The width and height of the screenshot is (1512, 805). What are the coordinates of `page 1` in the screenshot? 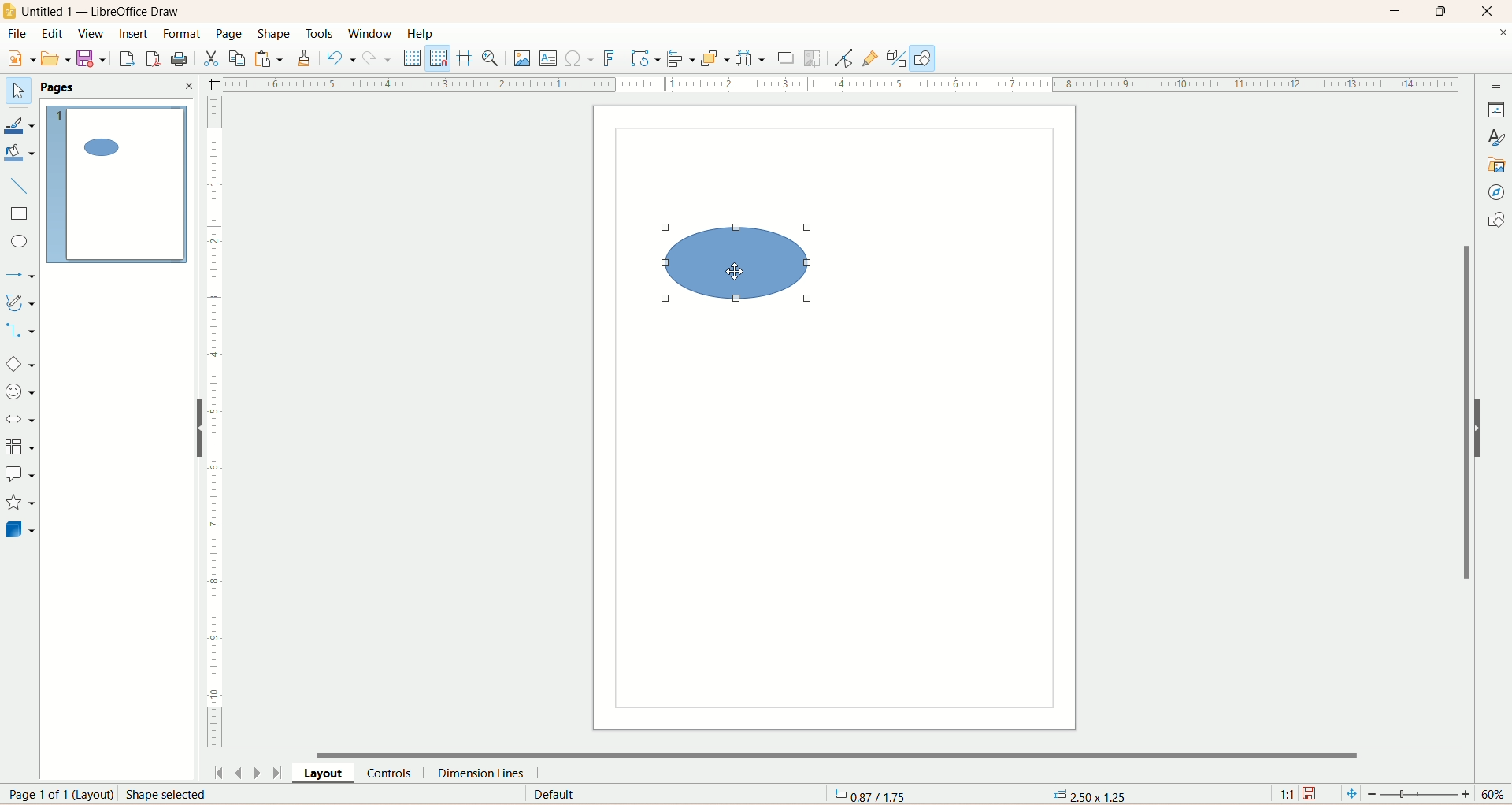 It's located at (117, 183).